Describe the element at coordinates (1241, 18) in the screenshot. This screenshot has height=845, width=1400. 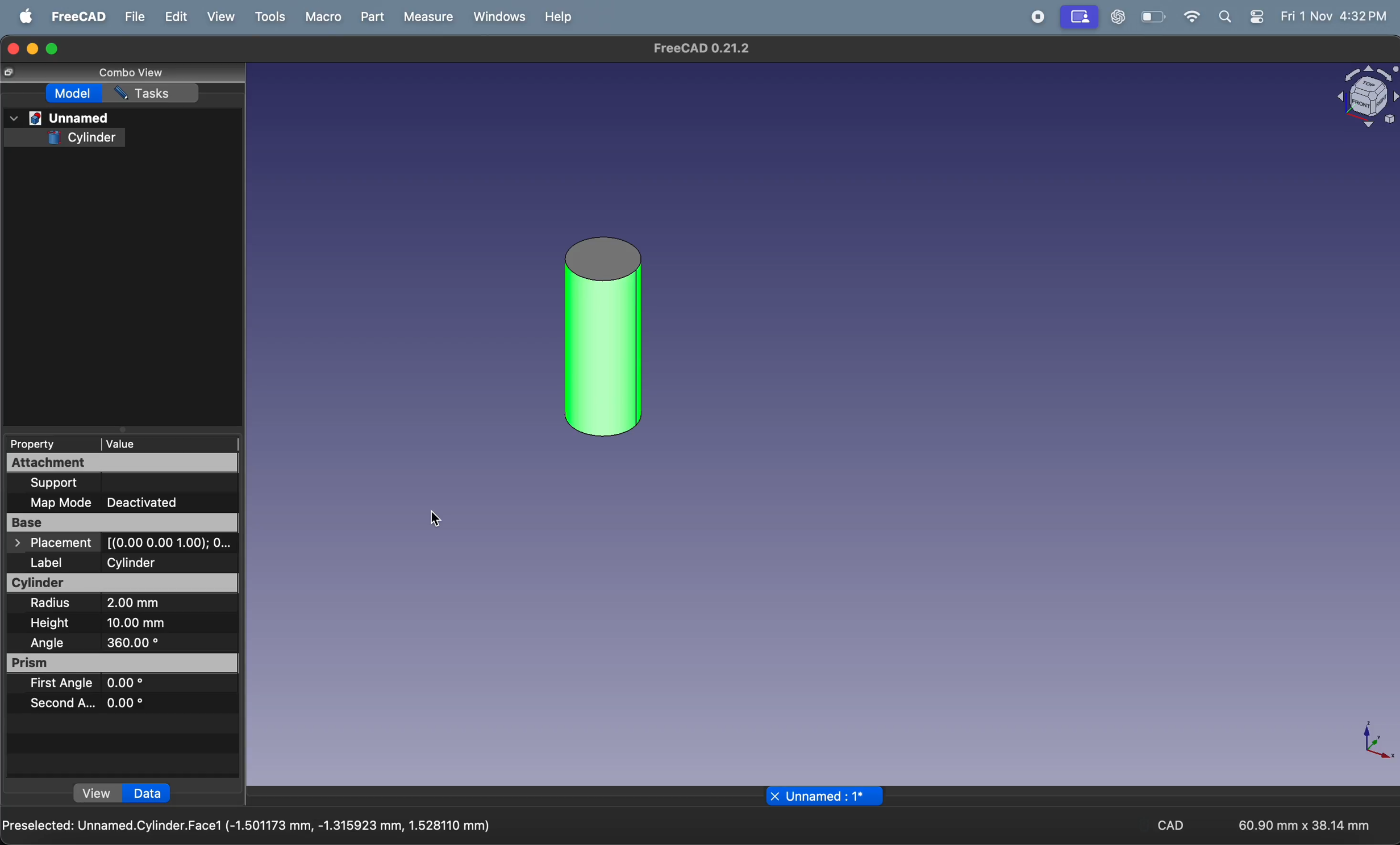
I see `apple widgets` at that location.